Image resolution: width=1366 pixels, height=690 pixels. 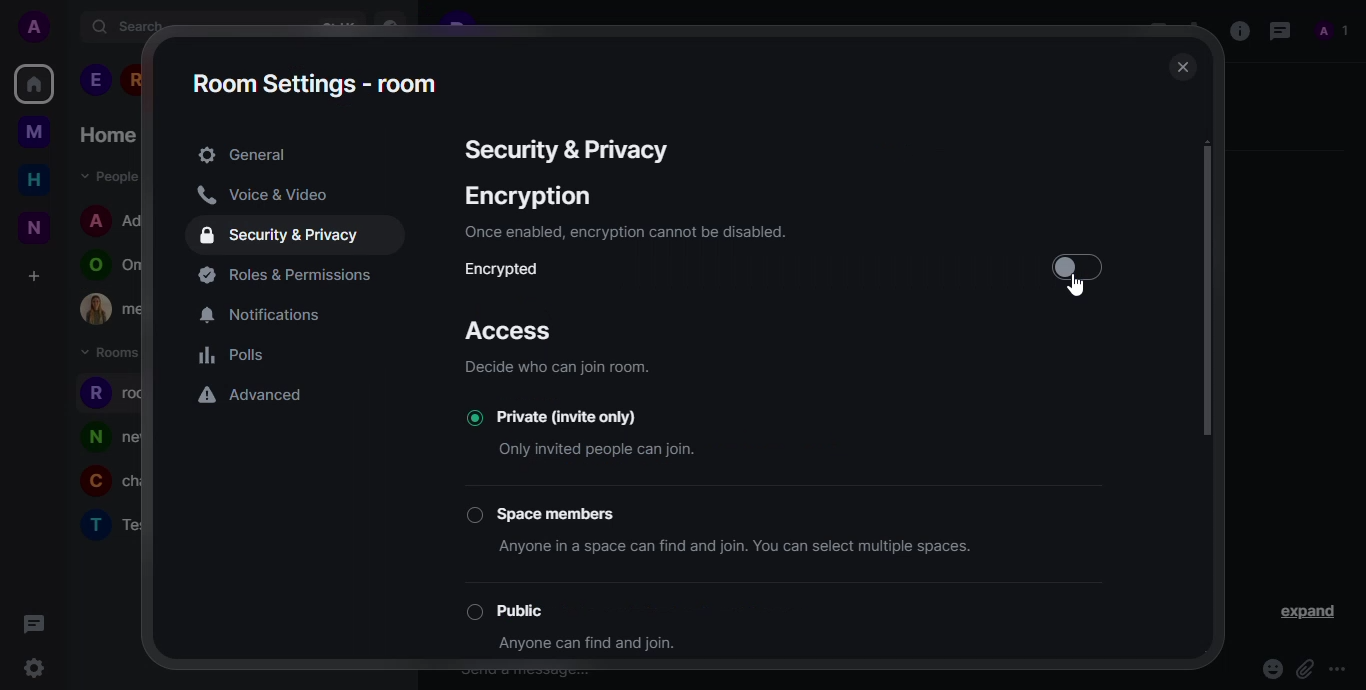 I want to click on encryption, so click(x=528, y=196).